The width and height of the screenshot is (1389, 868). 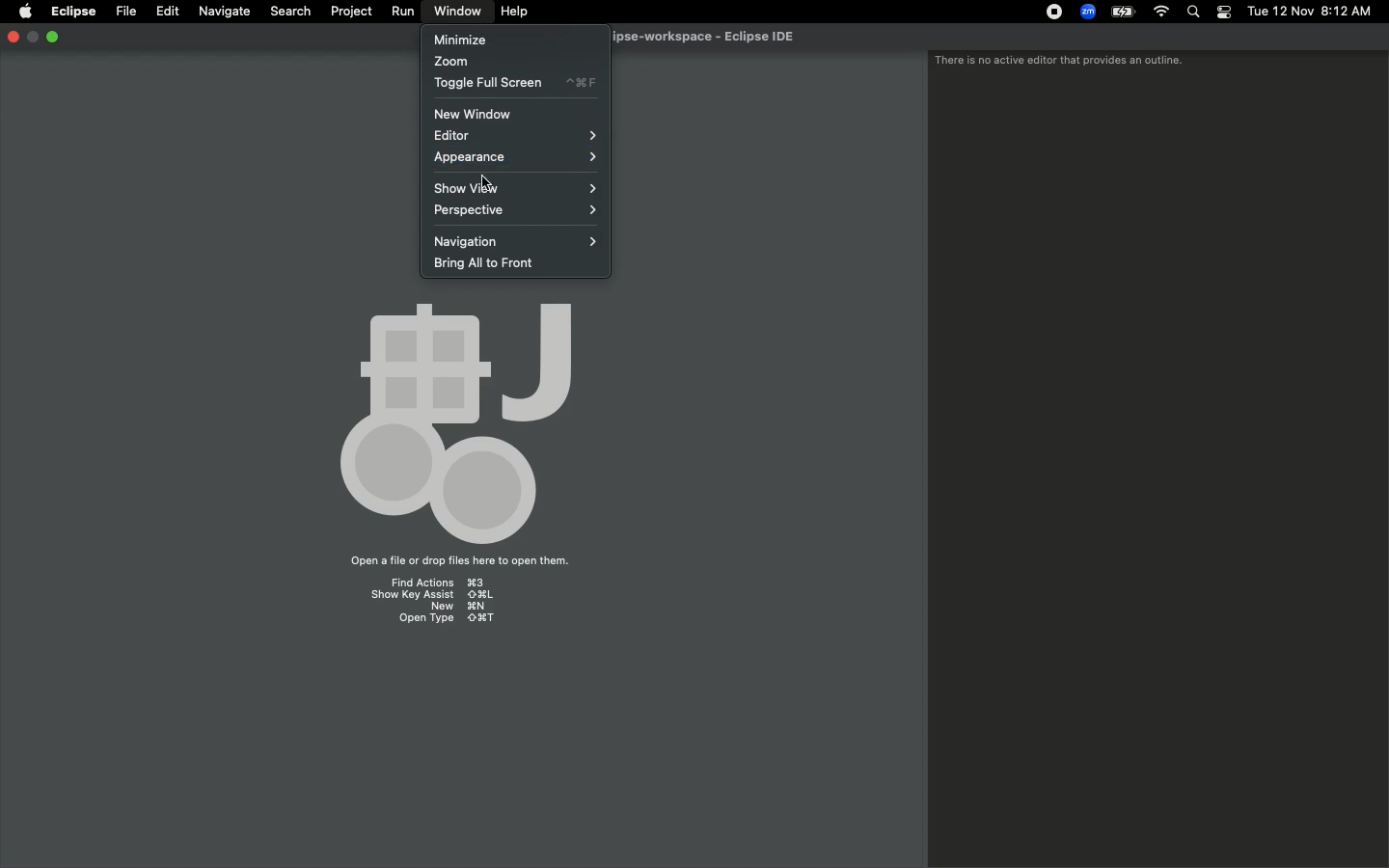 I want to click on cursor, so click(x=485, y=181).